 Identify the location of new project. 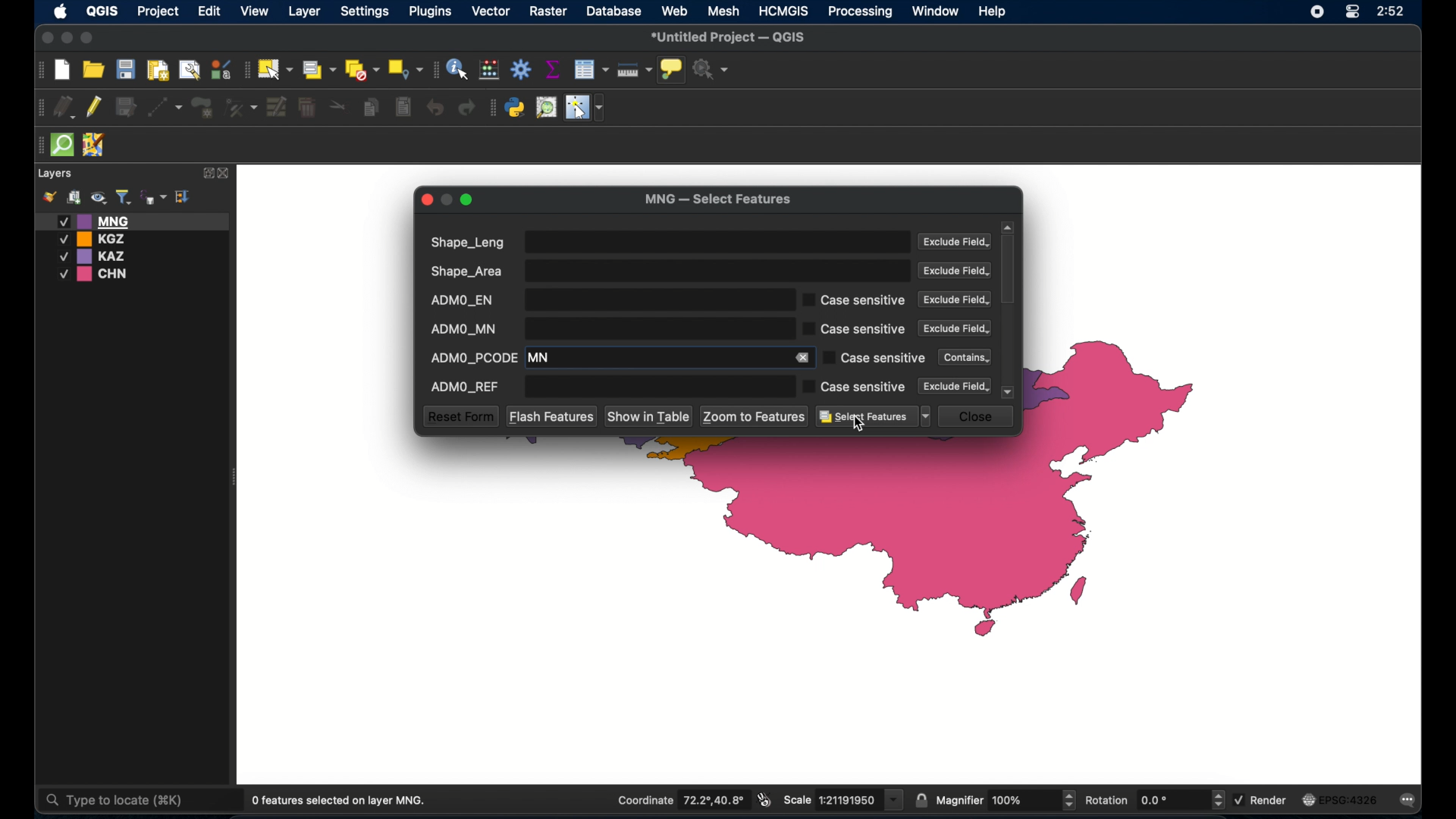
(63, 71).